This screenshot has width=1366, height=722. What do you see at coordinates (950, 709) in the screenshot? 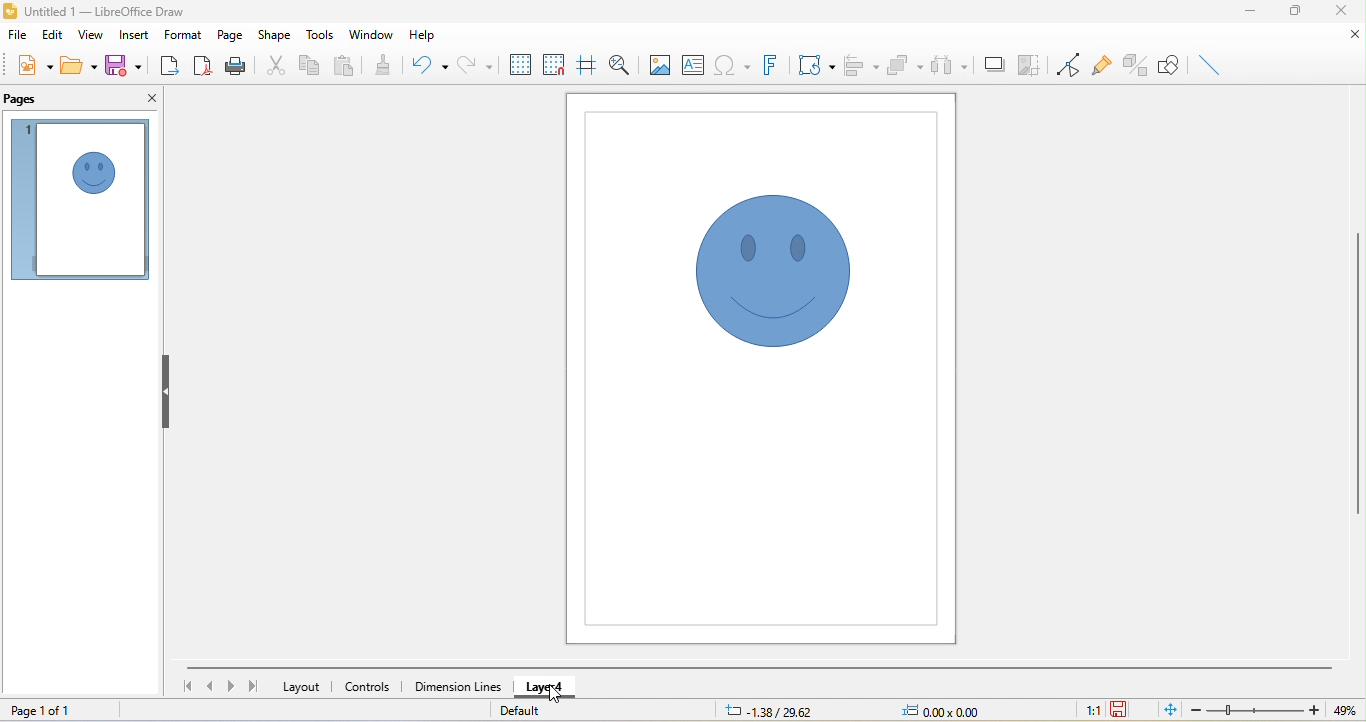
I see `0.00x0.00` at bounding box center [950, 709].